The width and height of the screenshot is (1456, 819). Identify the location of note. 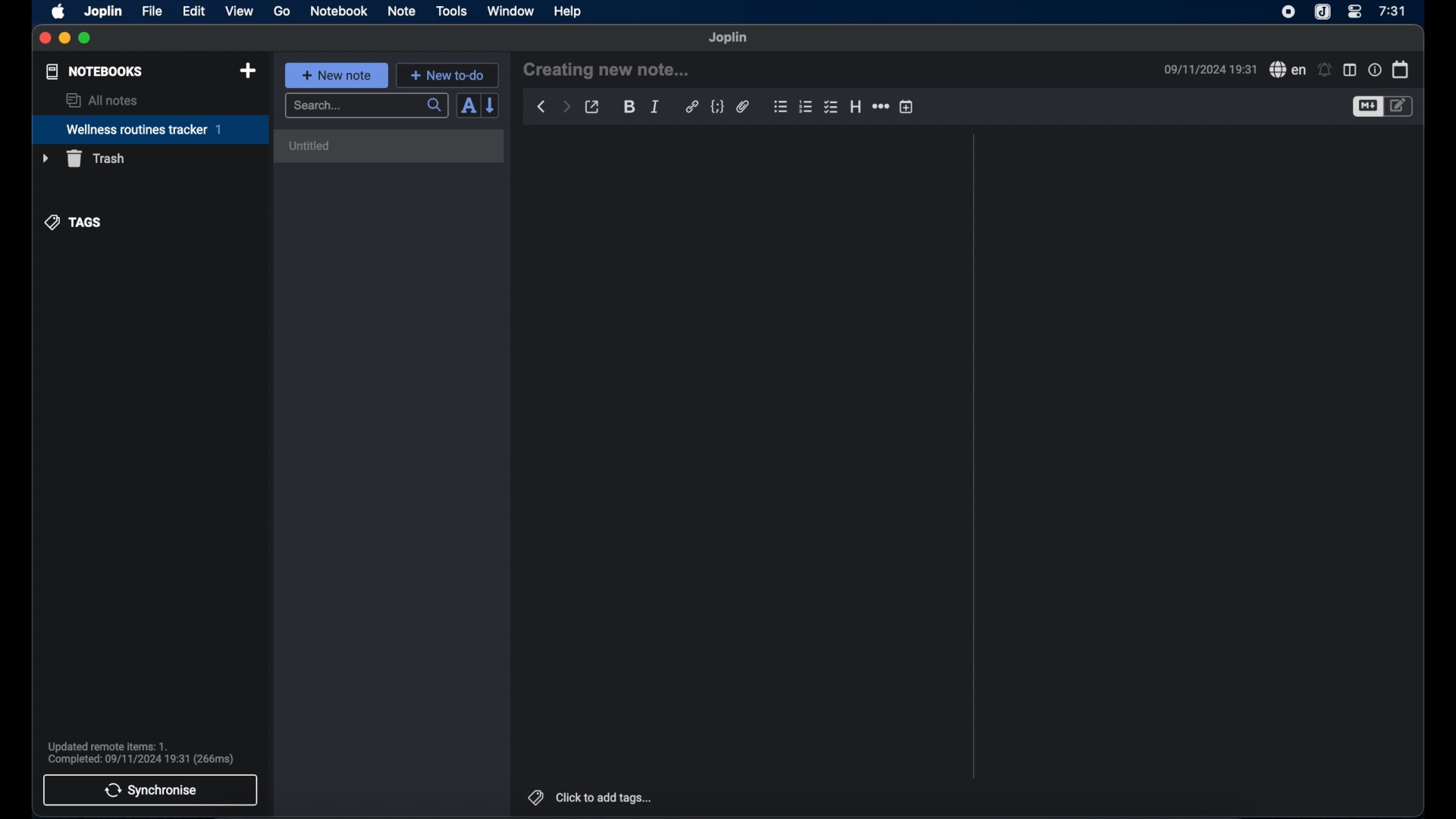
(402, 12).